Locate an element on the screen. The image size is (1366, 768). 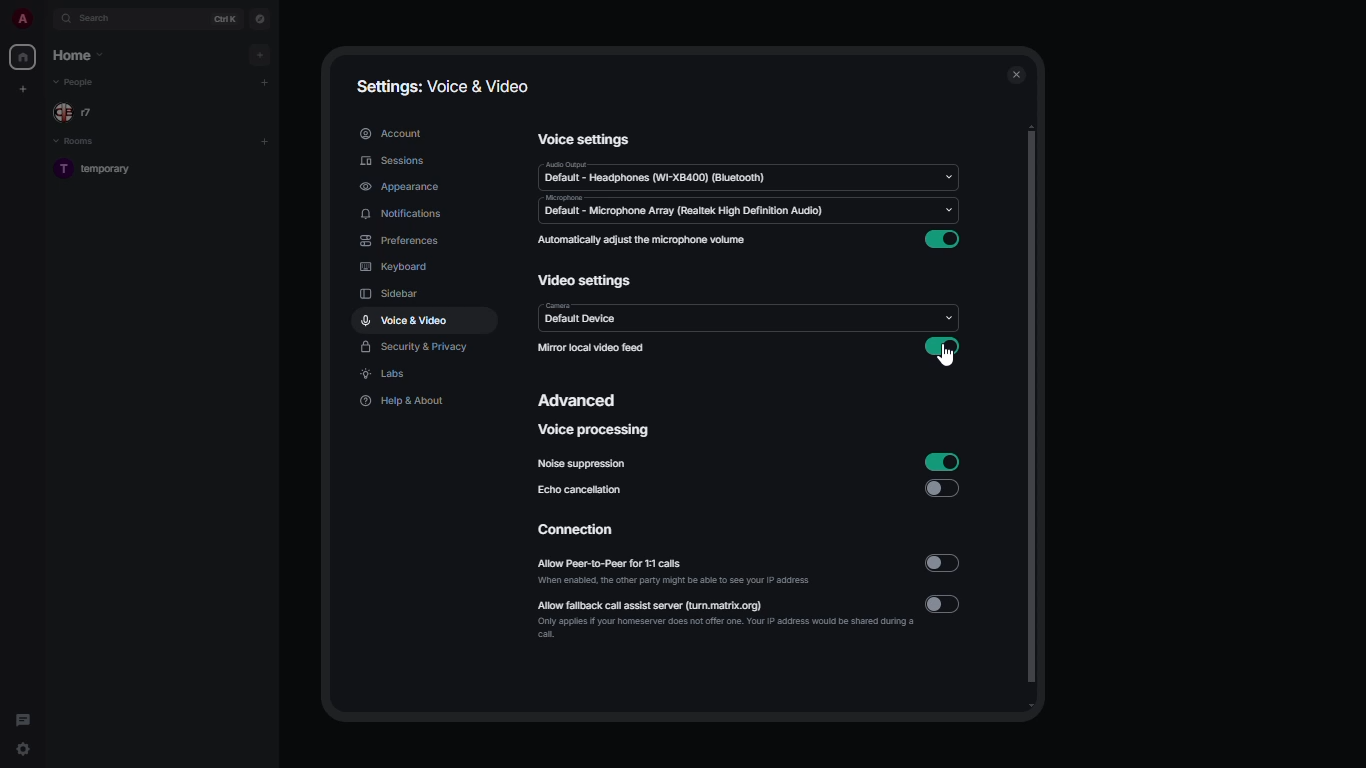
enabled is located at coordinates (941, 460).